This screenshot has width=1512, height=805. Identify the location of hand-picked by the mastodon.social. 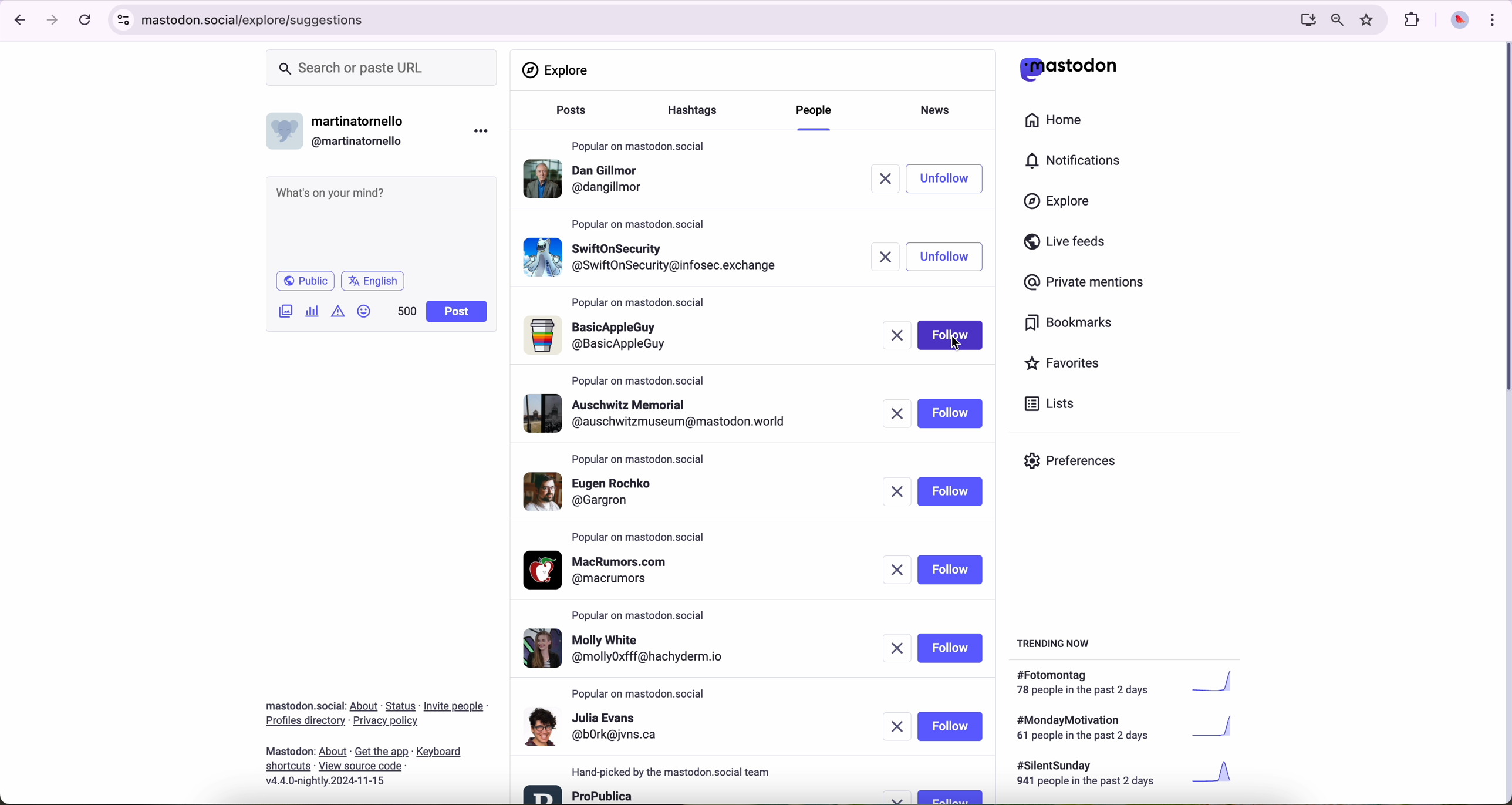
(679, 772).